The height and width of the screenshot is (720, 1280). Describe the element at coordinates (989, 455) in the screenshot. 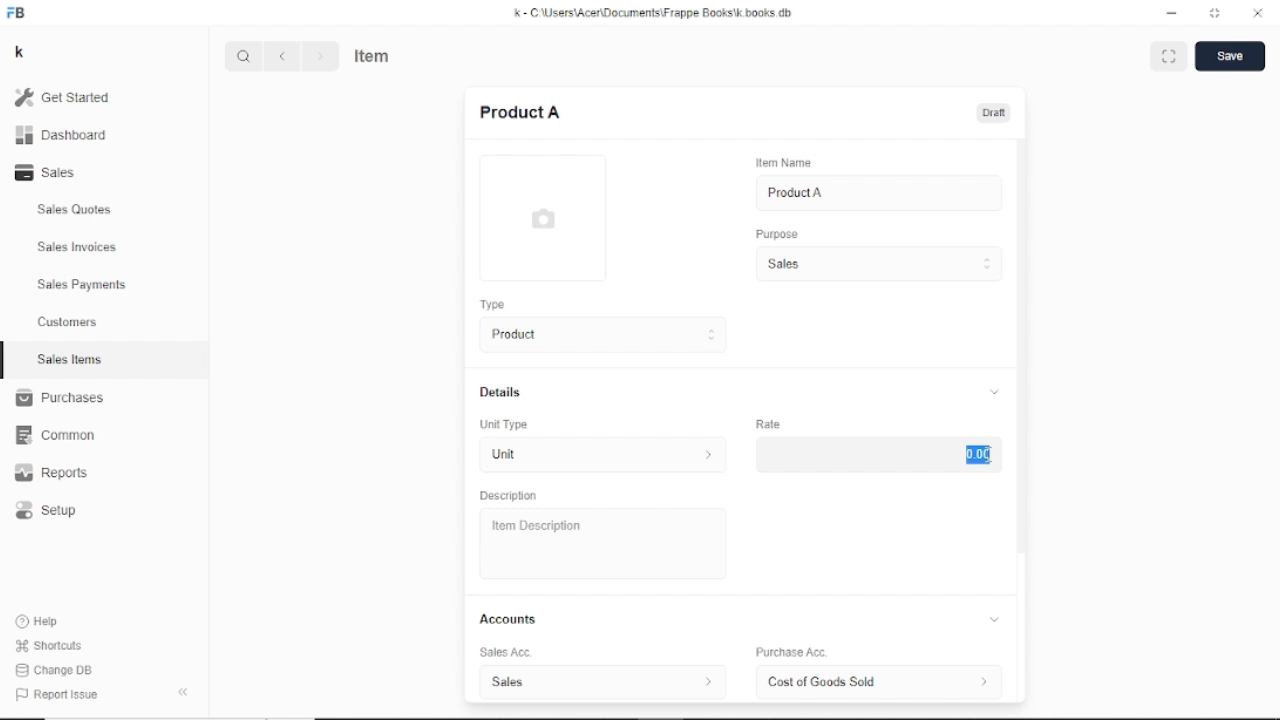

I see `Cursor` at that location.